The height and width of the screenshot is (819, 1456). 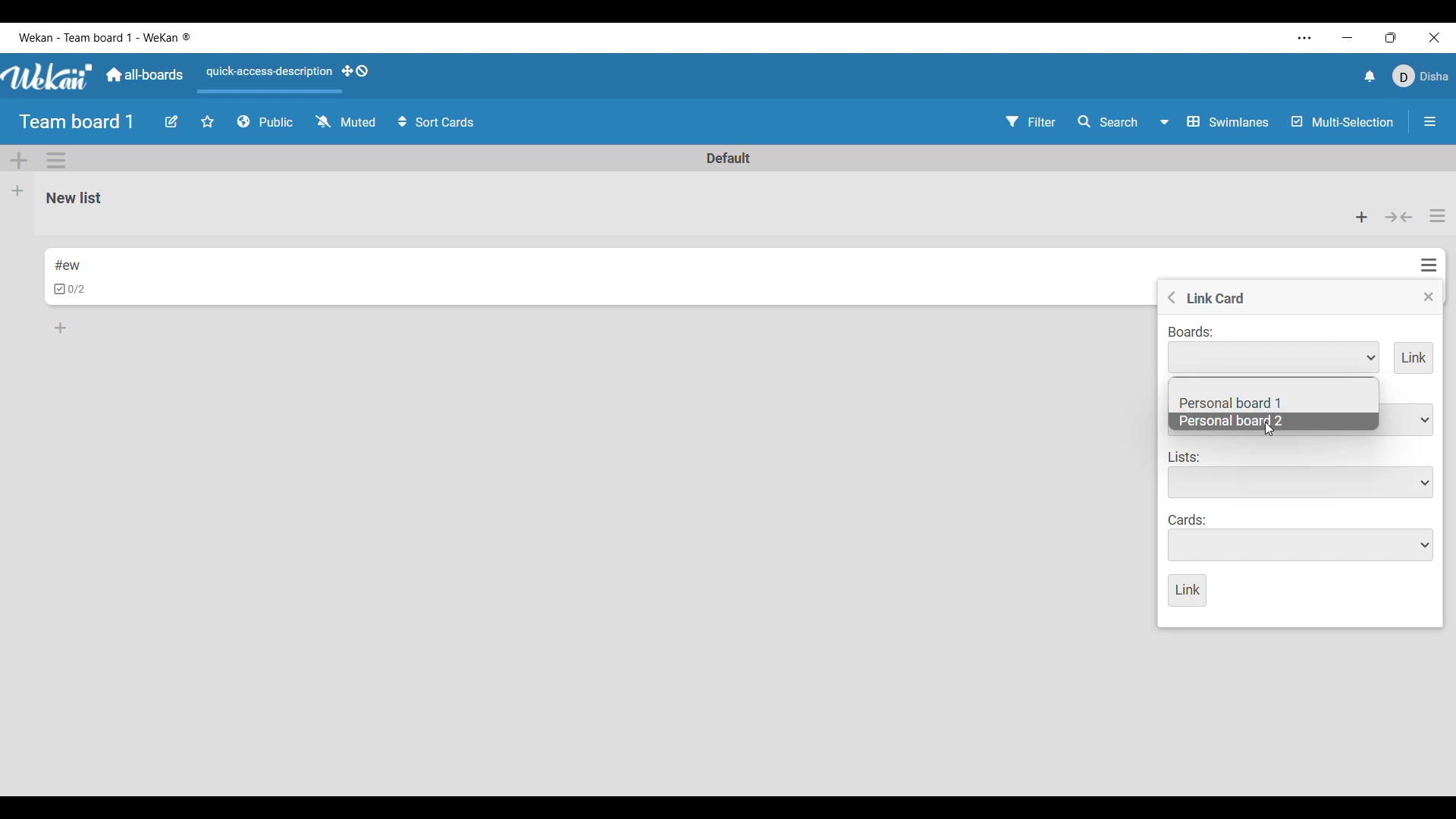 I want to click on Close/Open sidebar, so click(x=1430, y=122).